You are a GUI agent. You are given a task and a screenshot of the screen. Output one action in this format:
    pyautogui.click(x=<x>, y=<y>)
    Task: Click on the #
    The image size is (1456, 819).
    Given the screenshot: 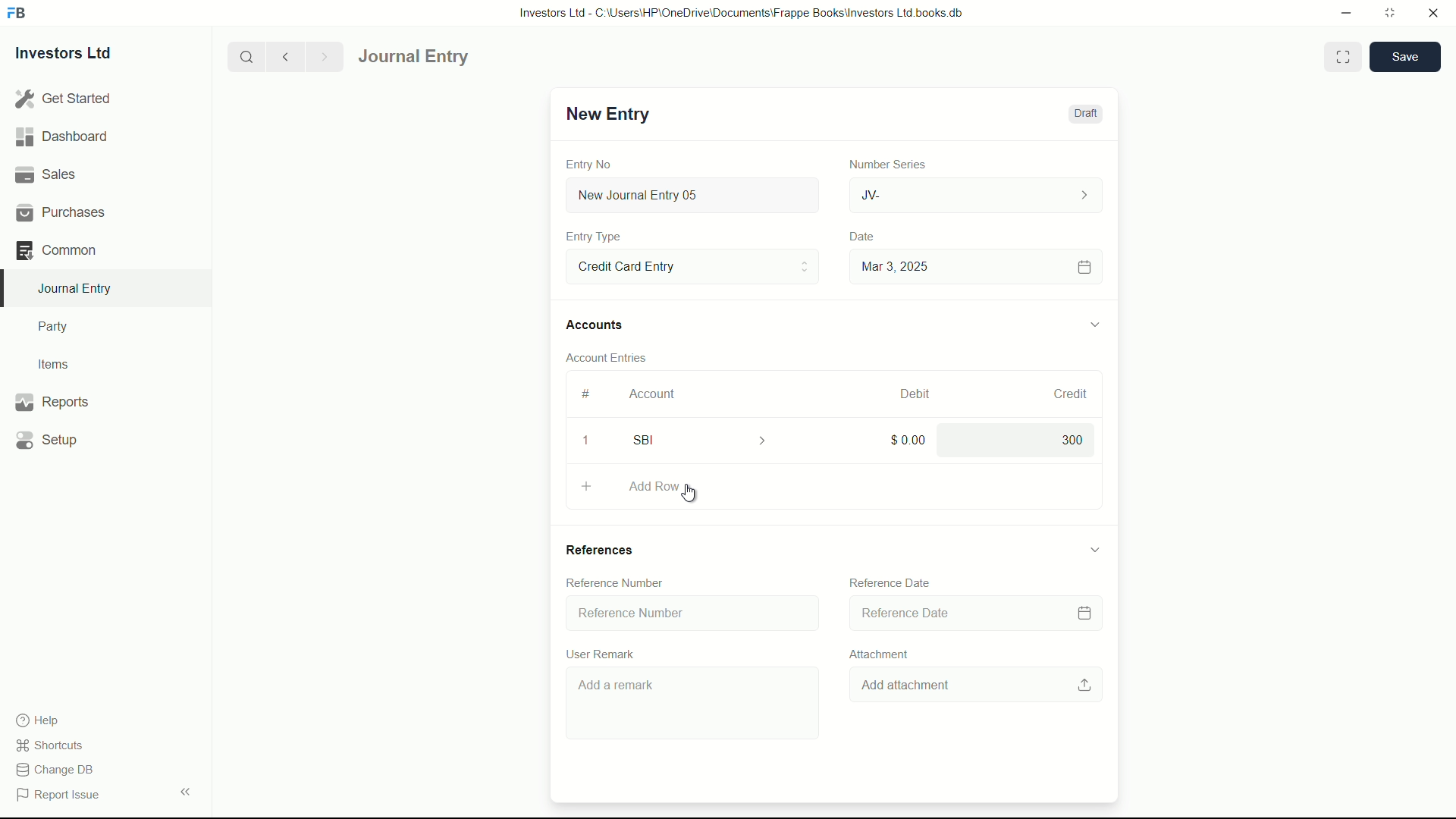 What is the action you would take?
    pyautogui.click(x=587, y=394)
    